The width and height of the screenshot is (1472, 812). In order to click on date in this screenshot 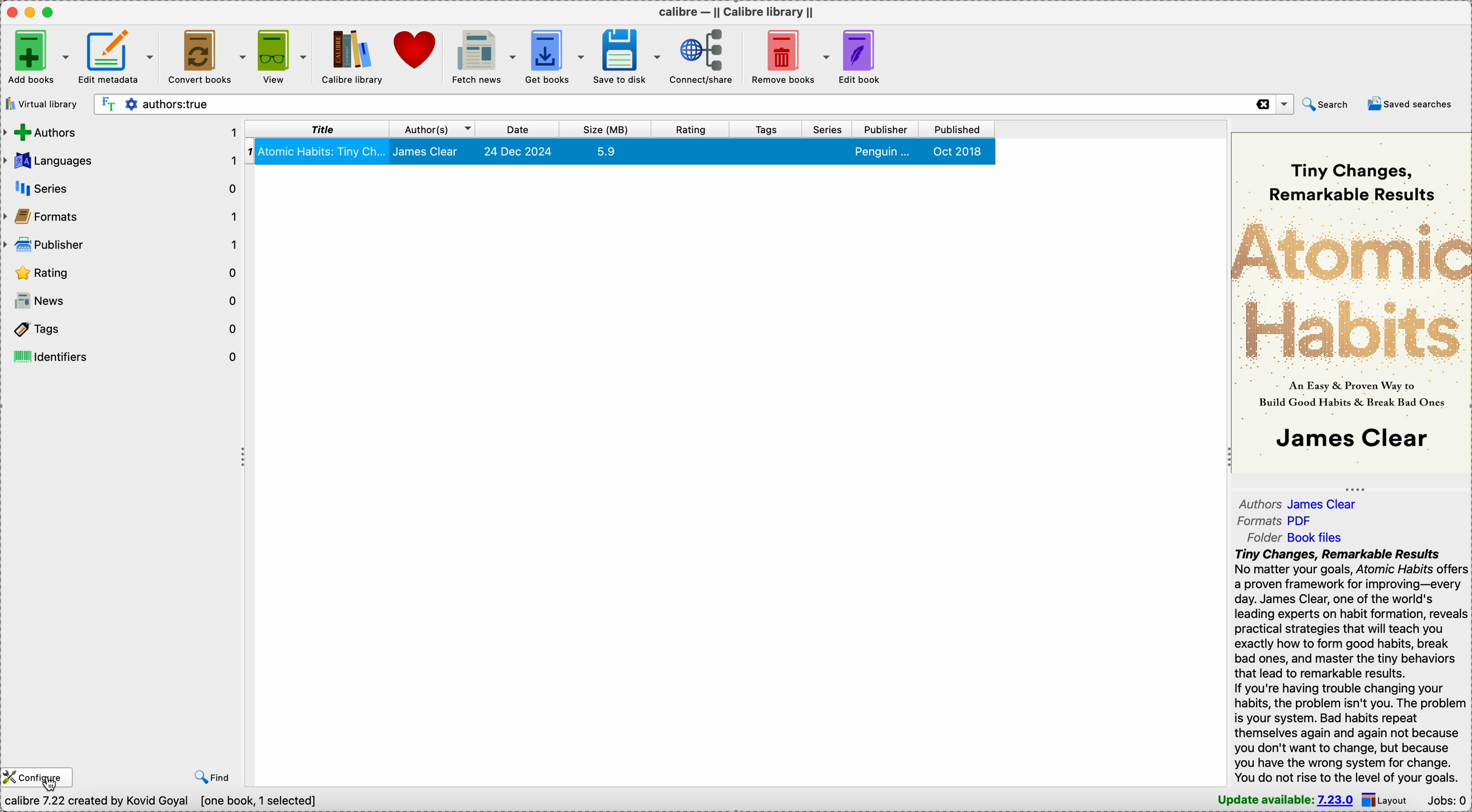, I will do `click(521, 129)`.